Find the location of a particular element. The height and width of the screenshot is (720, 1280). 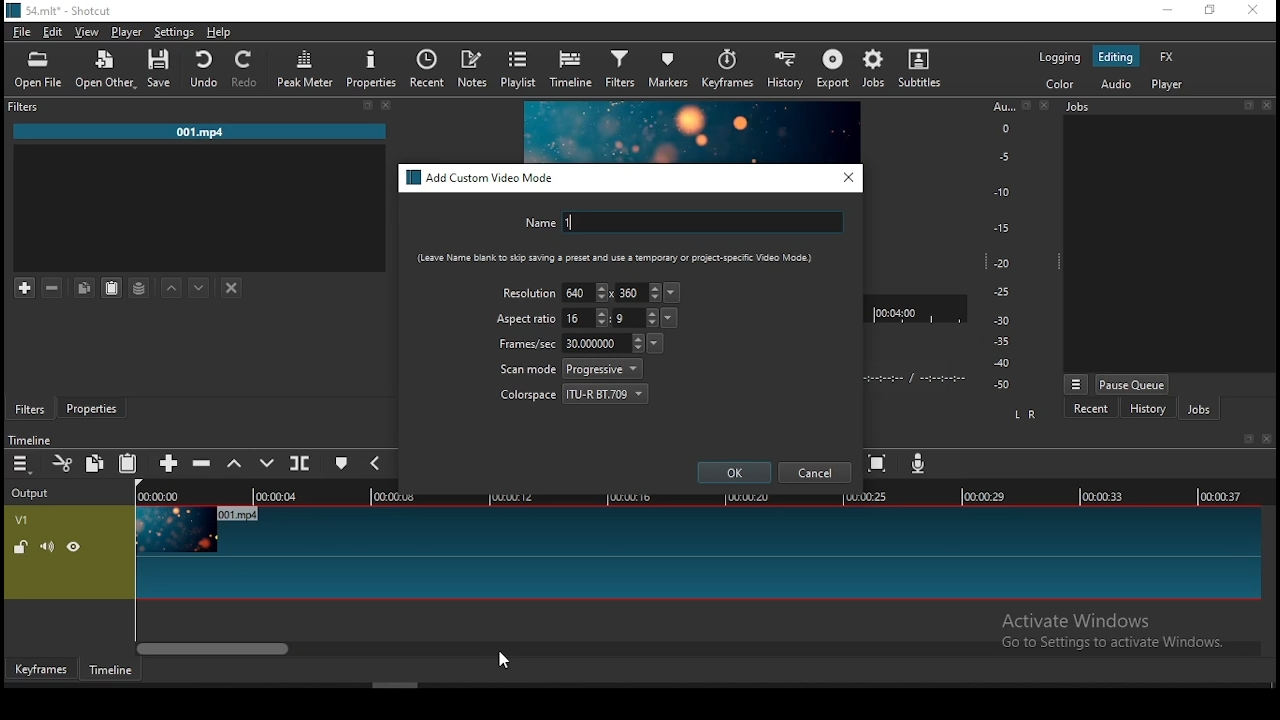

properties is located at coordinates (90, 405).